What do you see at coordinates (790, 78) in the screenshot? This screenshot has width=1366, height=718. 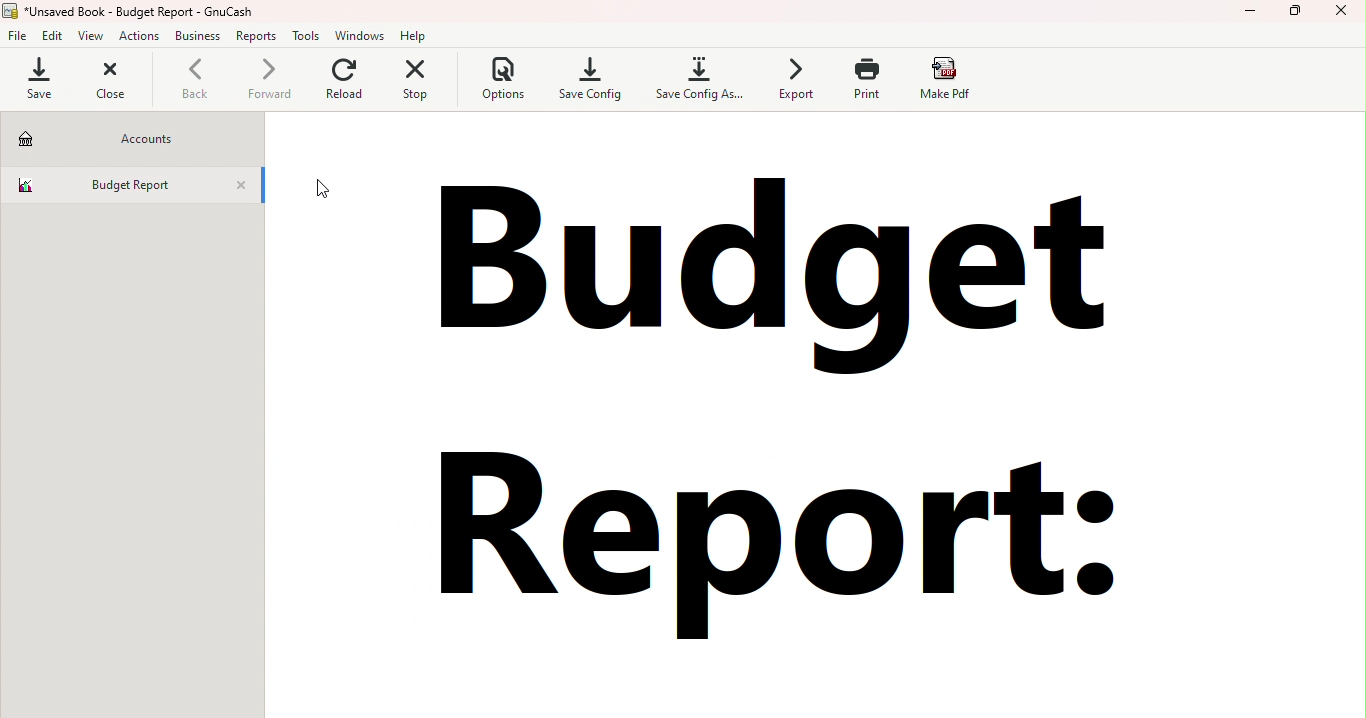 I see `Export` at bounding box center [790, 78].